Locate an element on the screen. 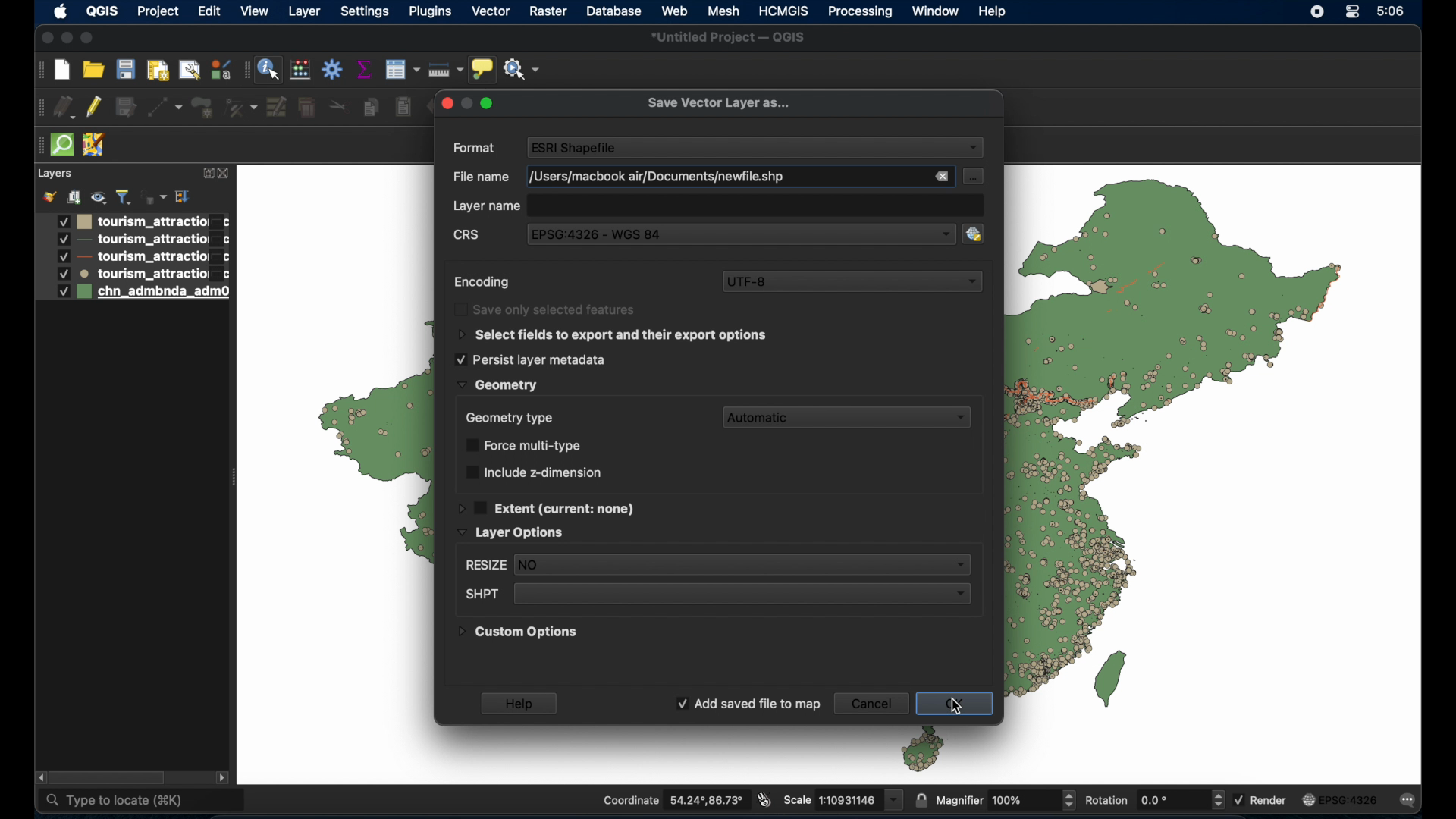 The height and width of the screenshot is (819, 1456). crs is located at coordinates (468, 237).